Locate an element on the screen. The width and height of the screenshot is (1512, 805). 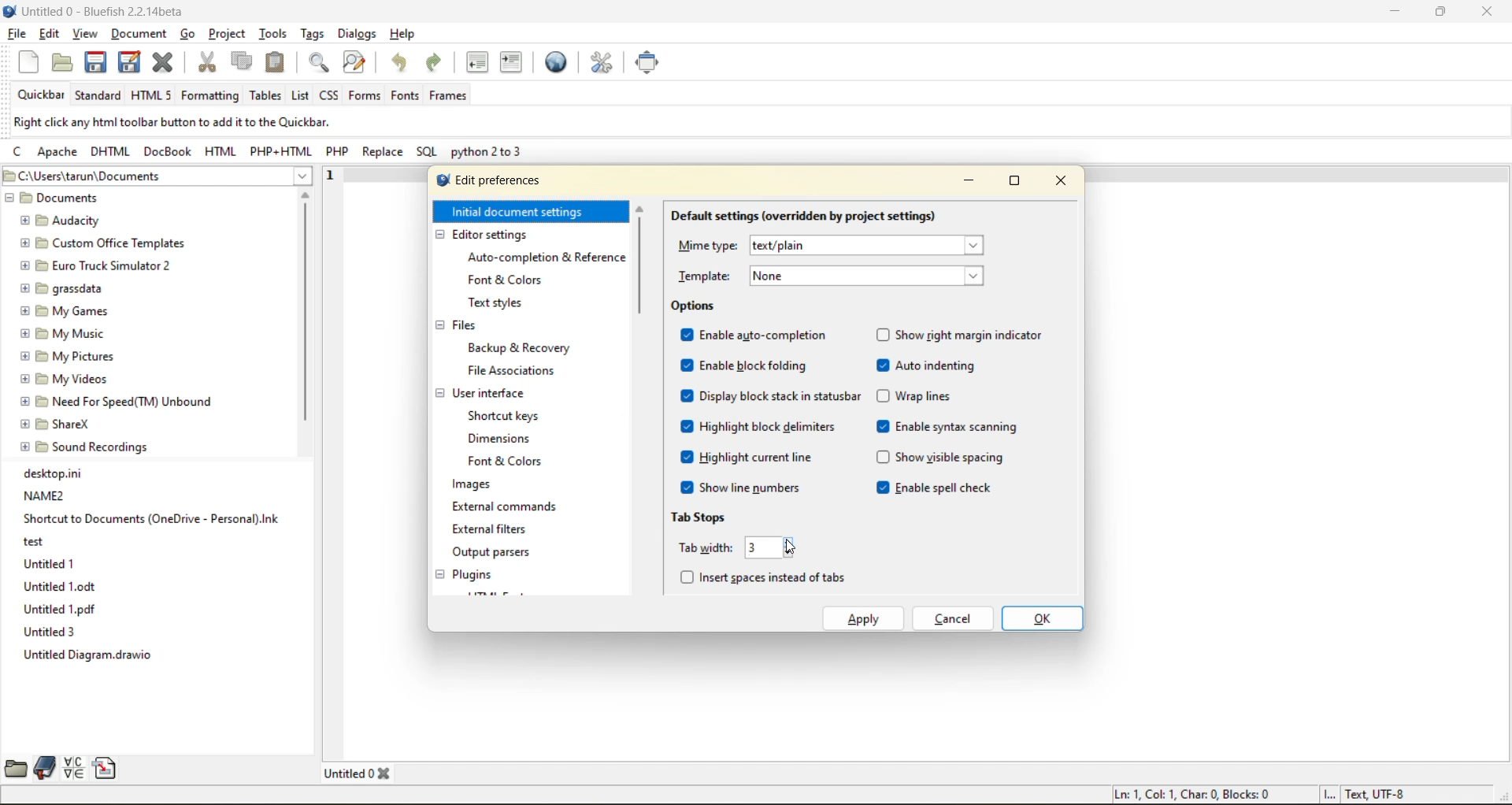
forms is located at coordinates (363, 95).